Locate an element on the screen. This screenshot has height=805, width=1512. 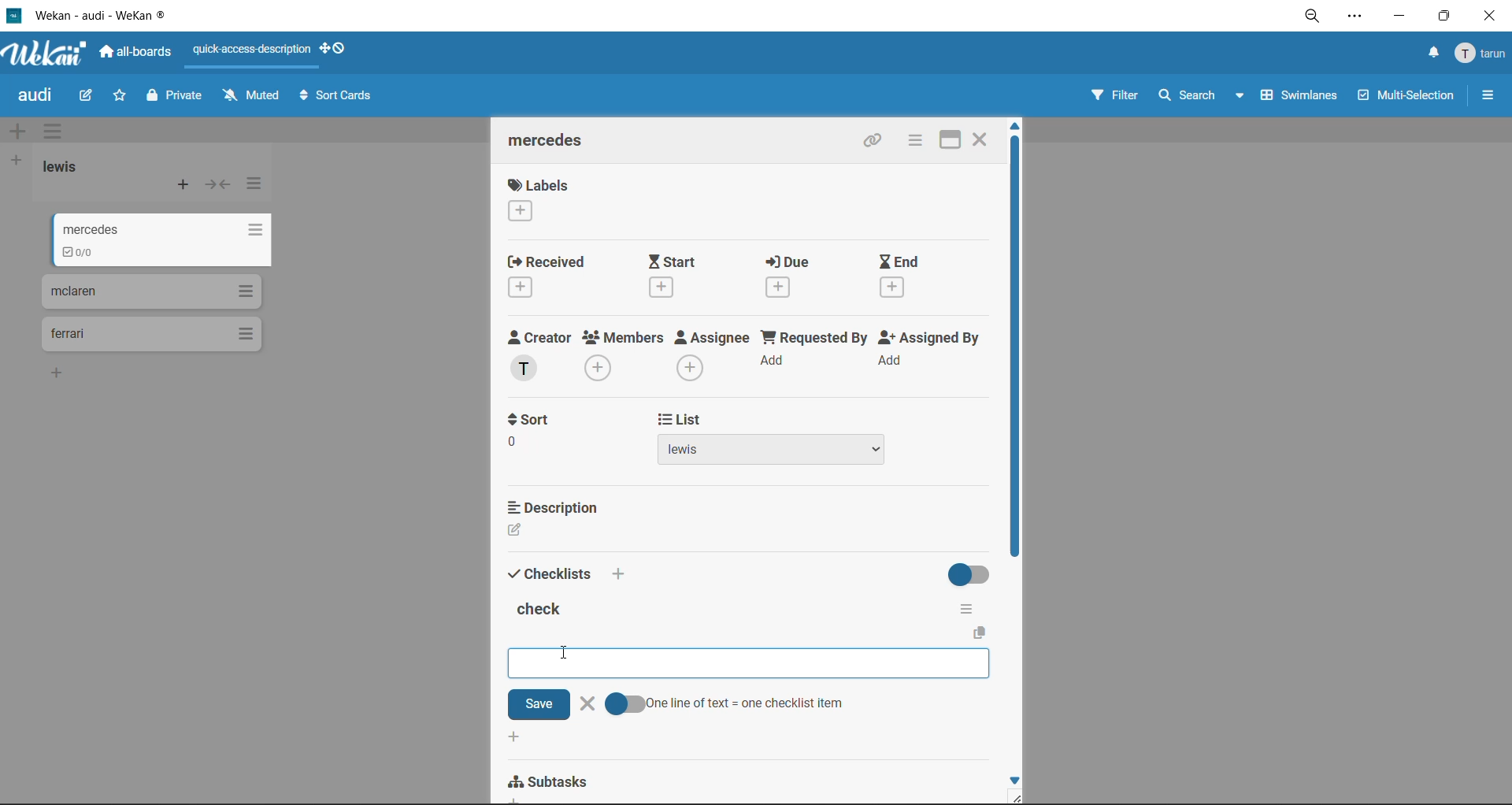
notifications is located at coordinates (1429, 53).